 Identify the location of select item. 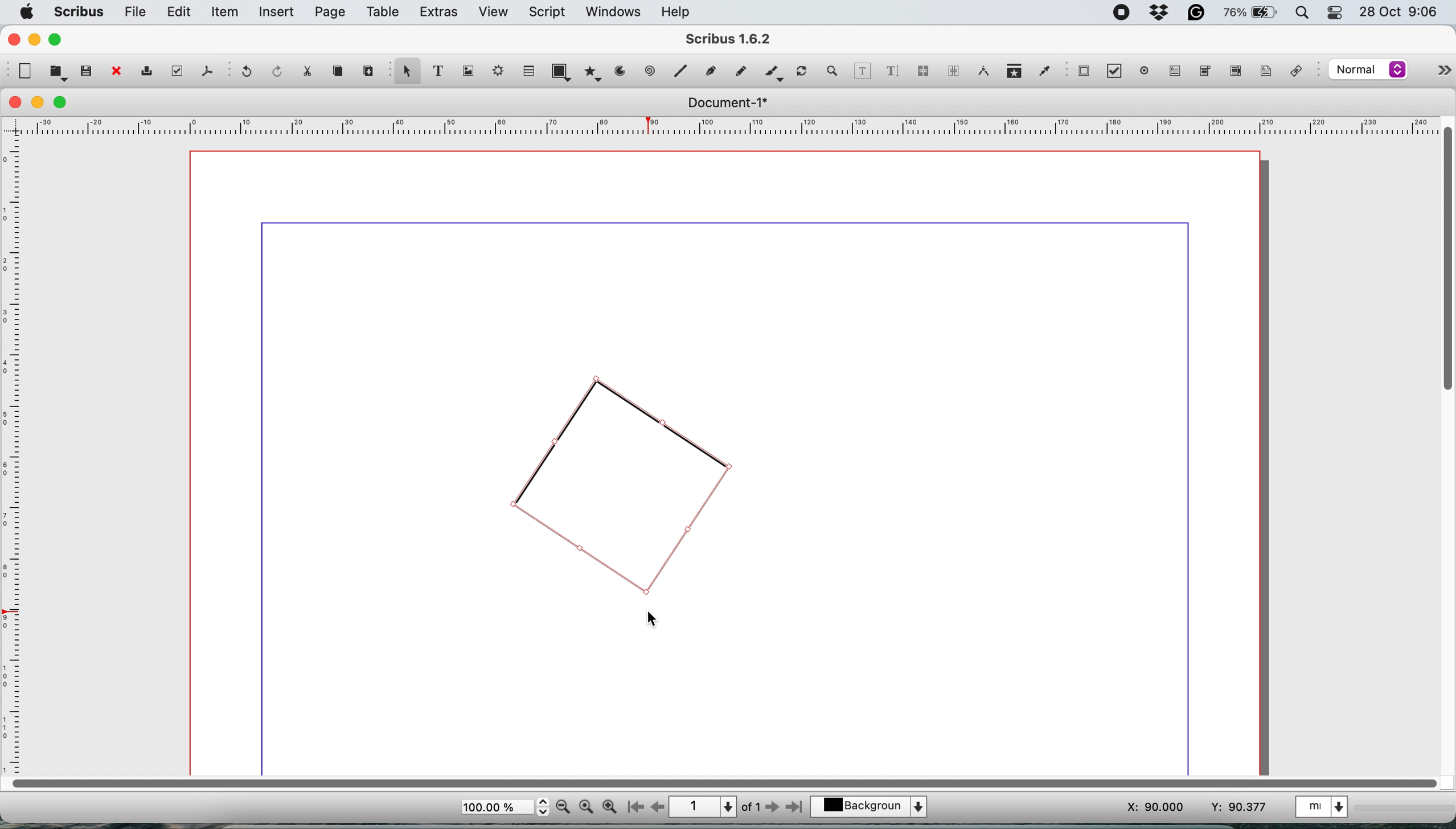
(407, 75).